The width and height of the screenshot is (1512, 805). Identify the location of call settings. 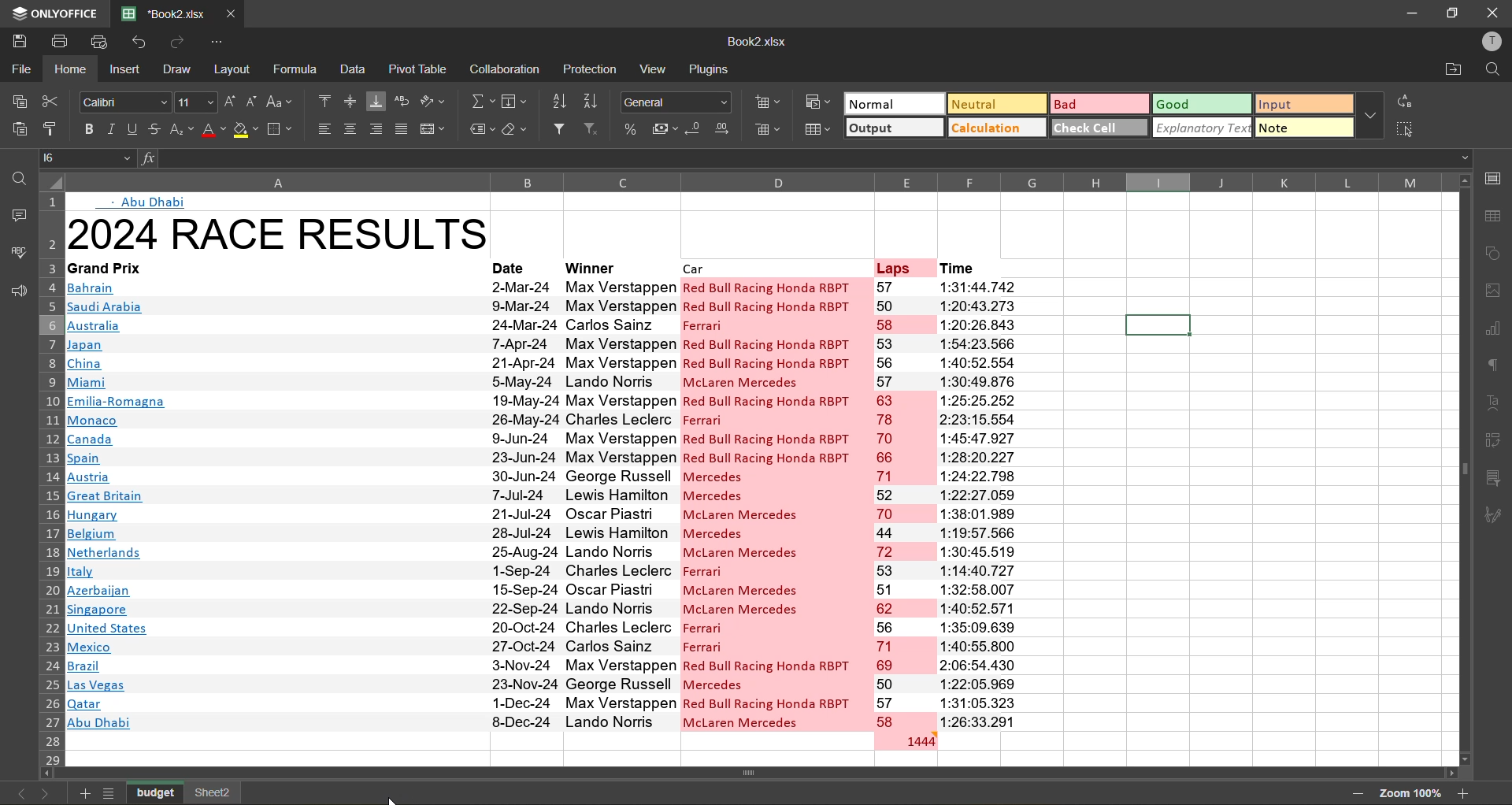
(1496, 179).